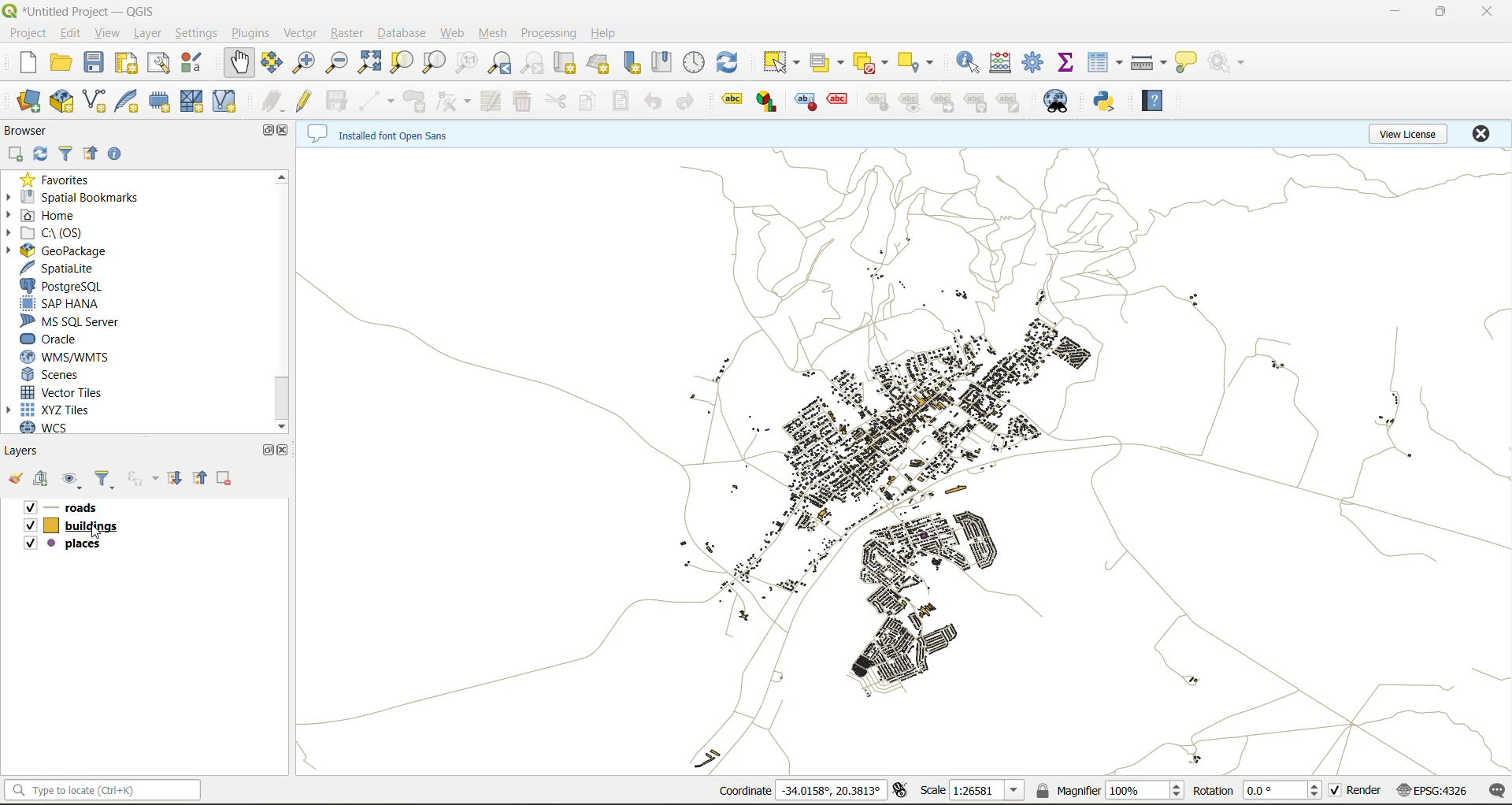 This screenshot has height=805, width=1512. What do you see at coordinates (33, 131) in the screenshot?
I see `browser` at bounding box center [33, 131].